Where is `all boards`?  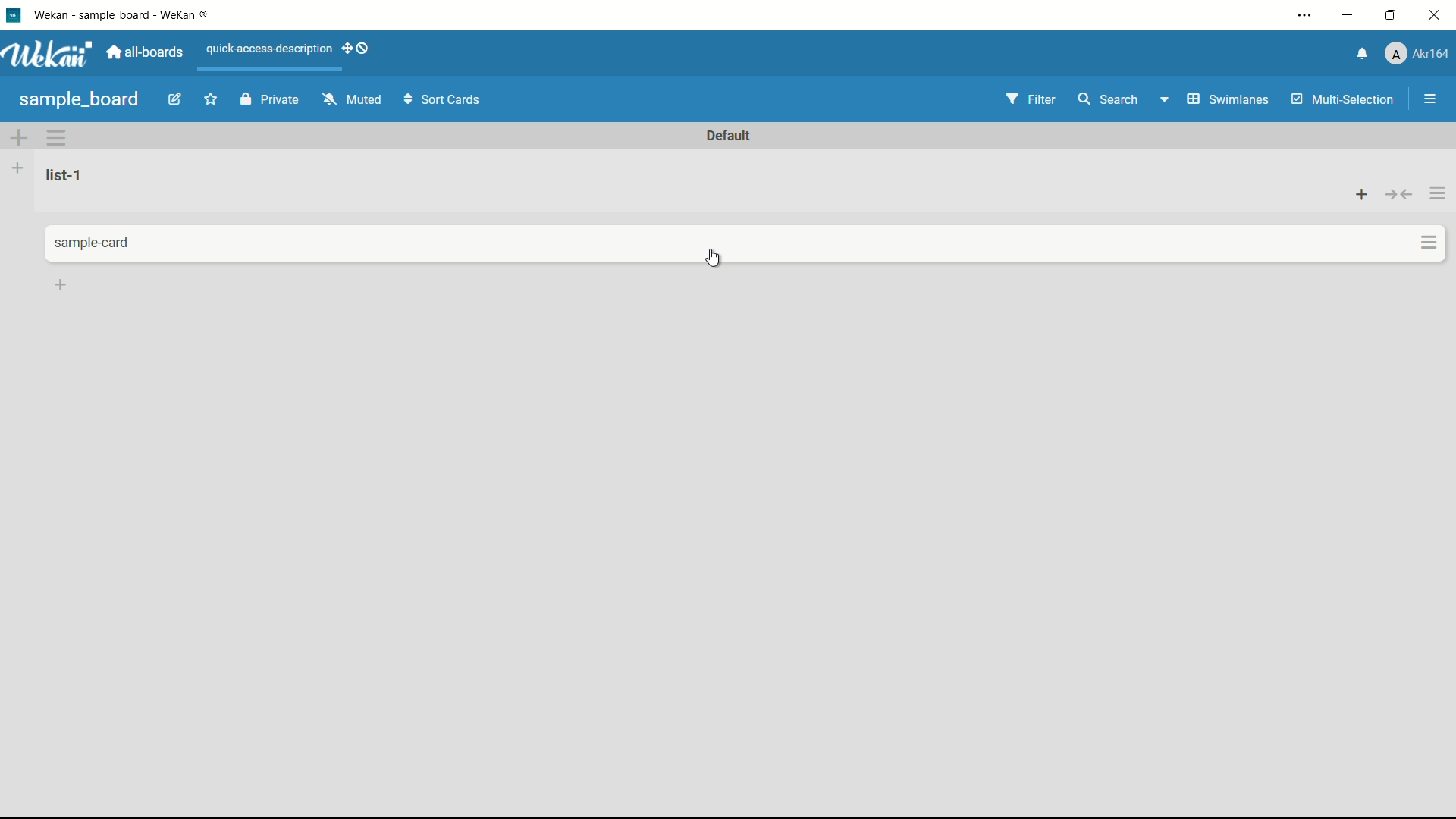
all boards is located at coordinates (146, 52).